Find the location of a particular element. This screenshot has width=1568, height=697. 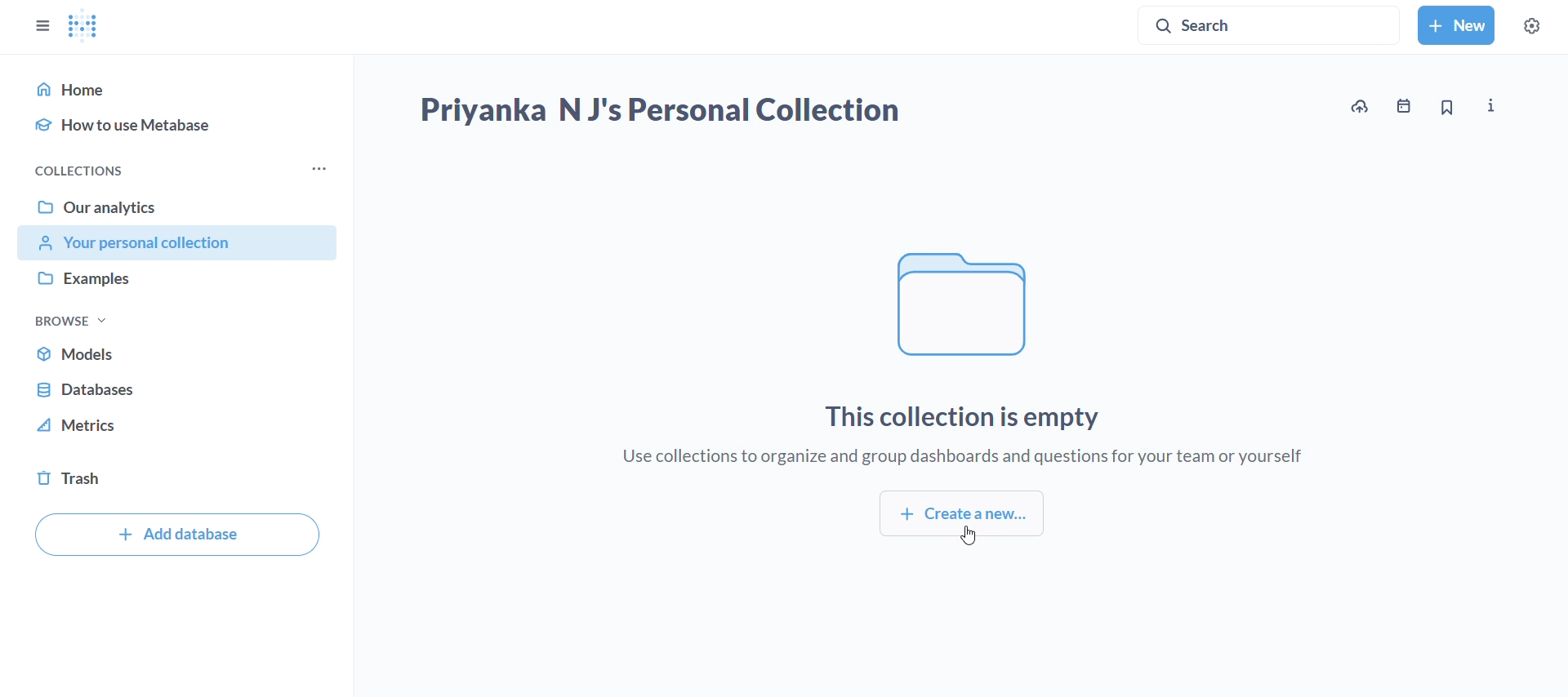

search is located at coordinates (1271, 22).